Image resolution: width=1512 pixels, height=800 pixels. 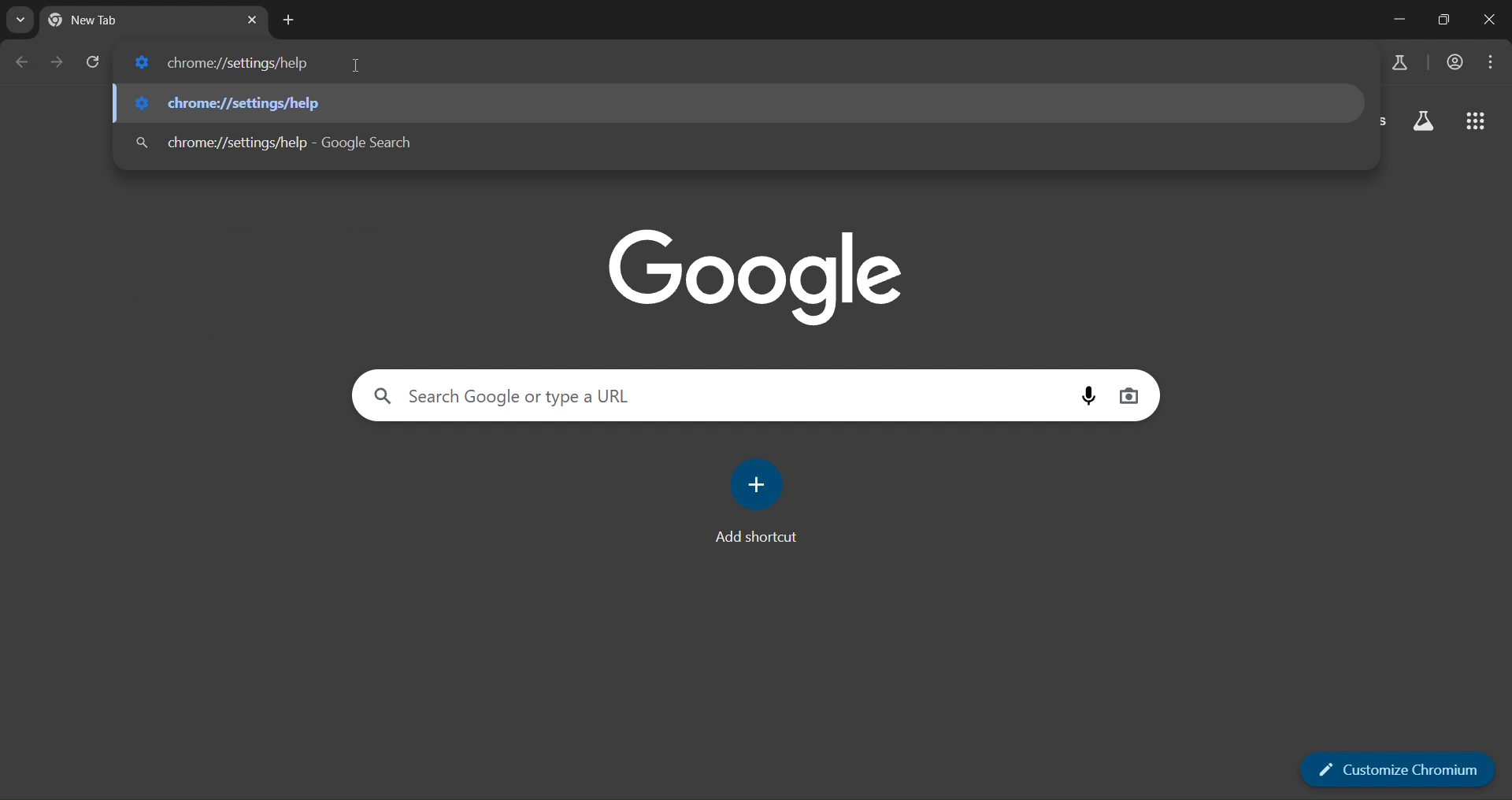 What do you see at coordinates (1489, 61) in the screenshot?
I see `menu` at bounding box center [1489, 61].